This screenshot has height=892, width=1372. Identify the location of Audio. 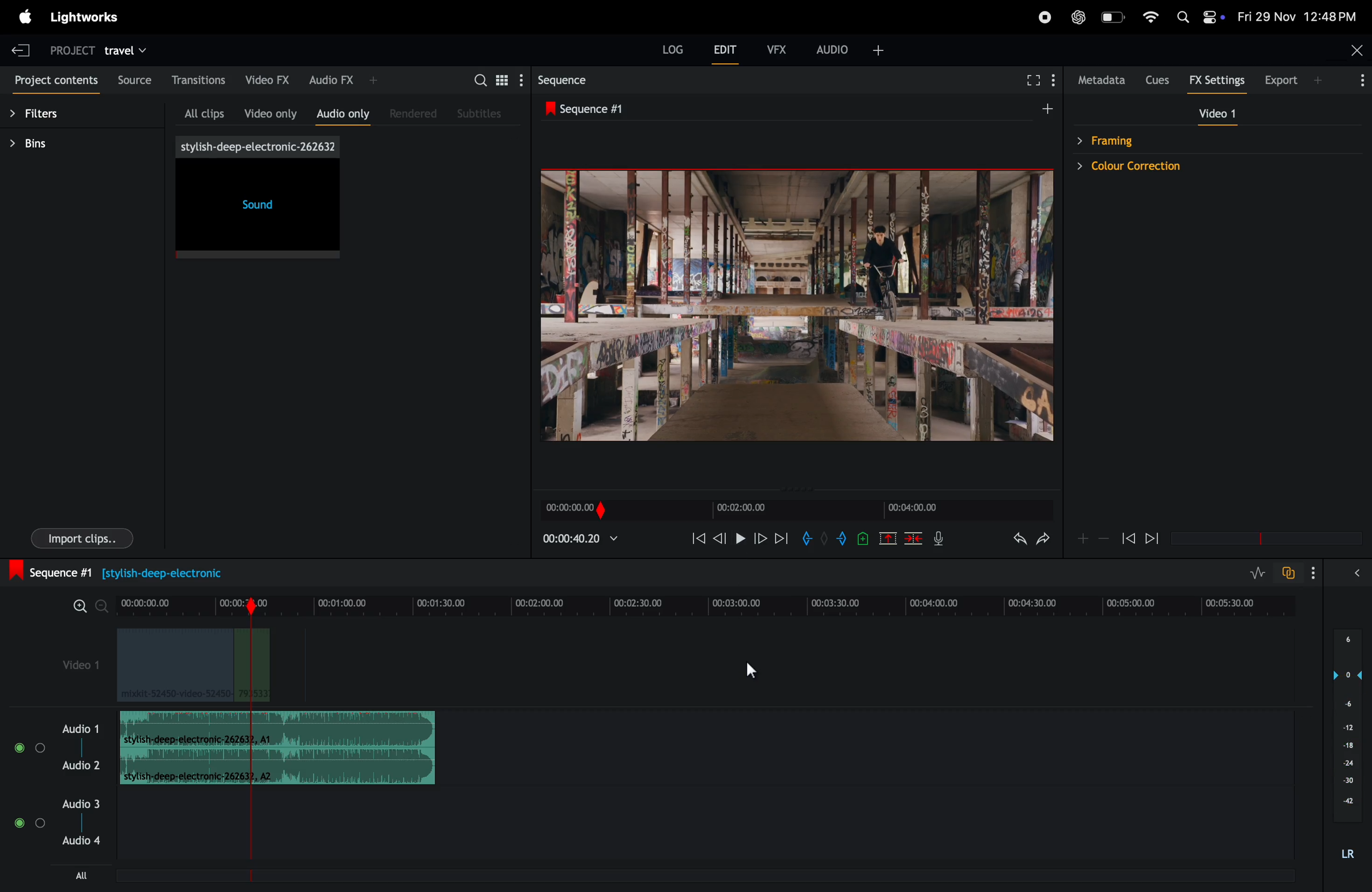
(82, 841).